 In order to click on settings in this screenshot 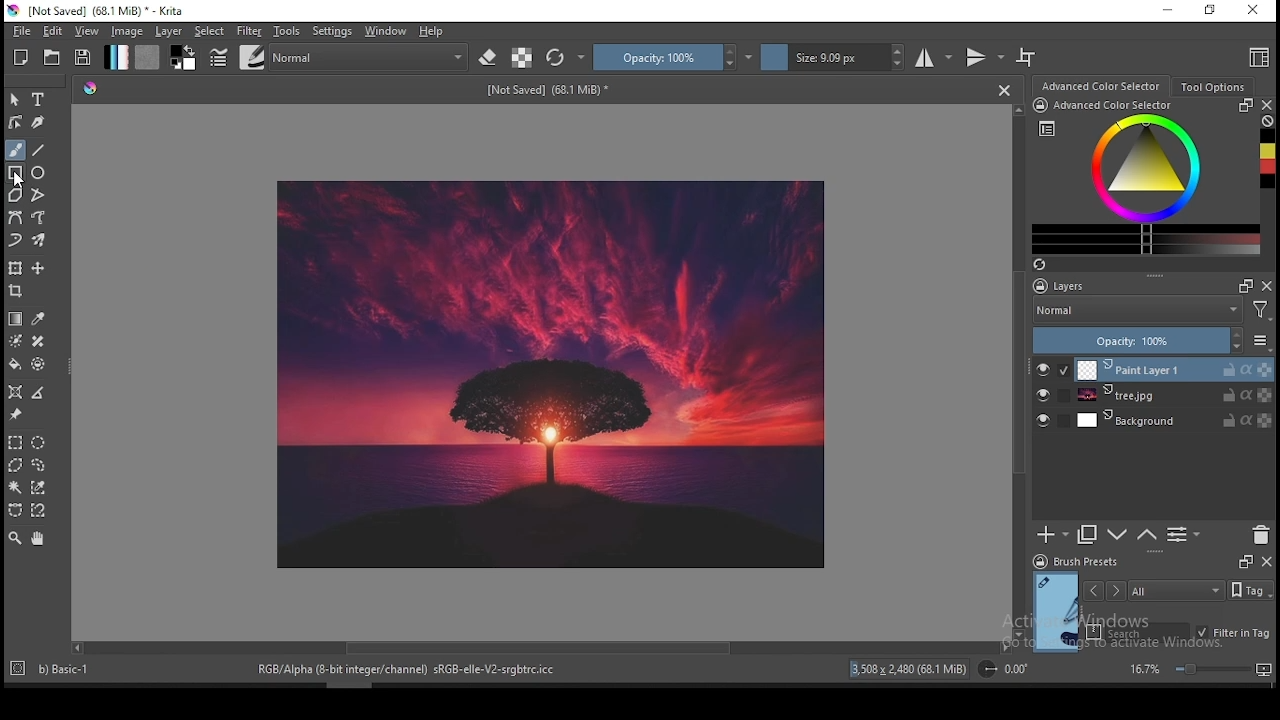, I will do `click(332, 31)`.